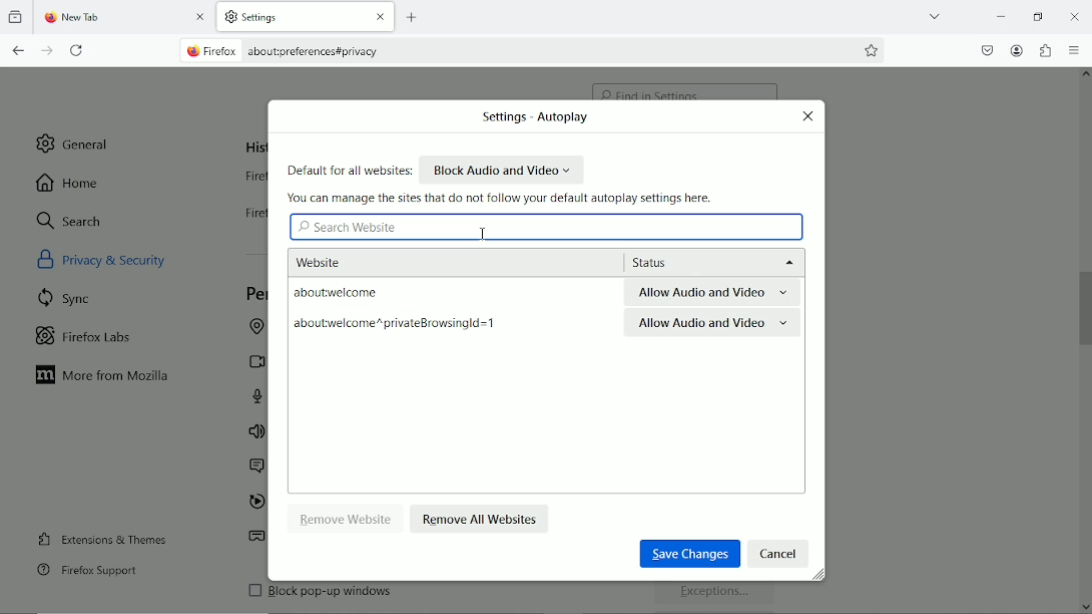  What do you see at coordinates (257, 539) in the screenshot?
I see `virtual reality` at bounding box center [257, 539].